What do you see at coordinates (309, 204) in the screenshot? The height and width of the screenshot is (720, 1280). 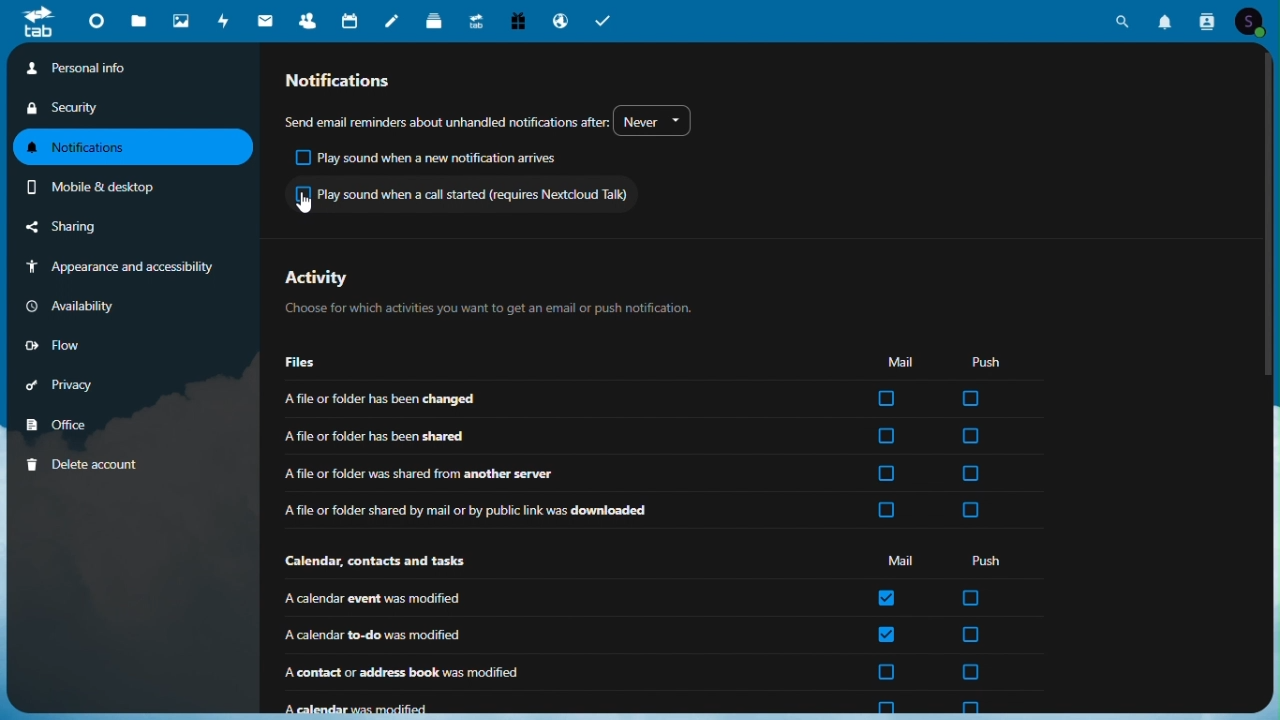 I see `cursor` at bounding box center [309, 204].